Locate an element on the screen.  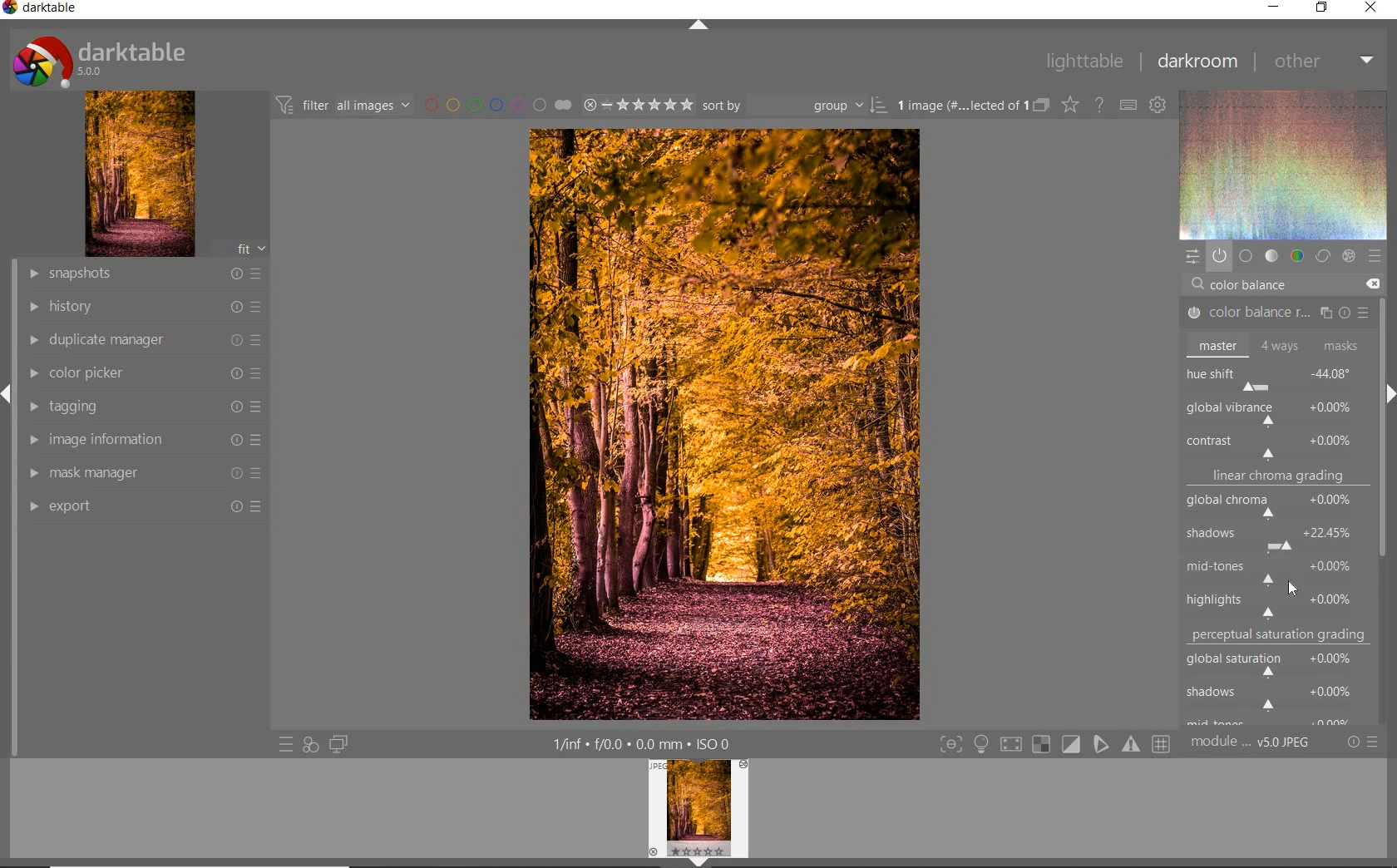
define keyboard shortcut is located at coordinates (1128, 106).